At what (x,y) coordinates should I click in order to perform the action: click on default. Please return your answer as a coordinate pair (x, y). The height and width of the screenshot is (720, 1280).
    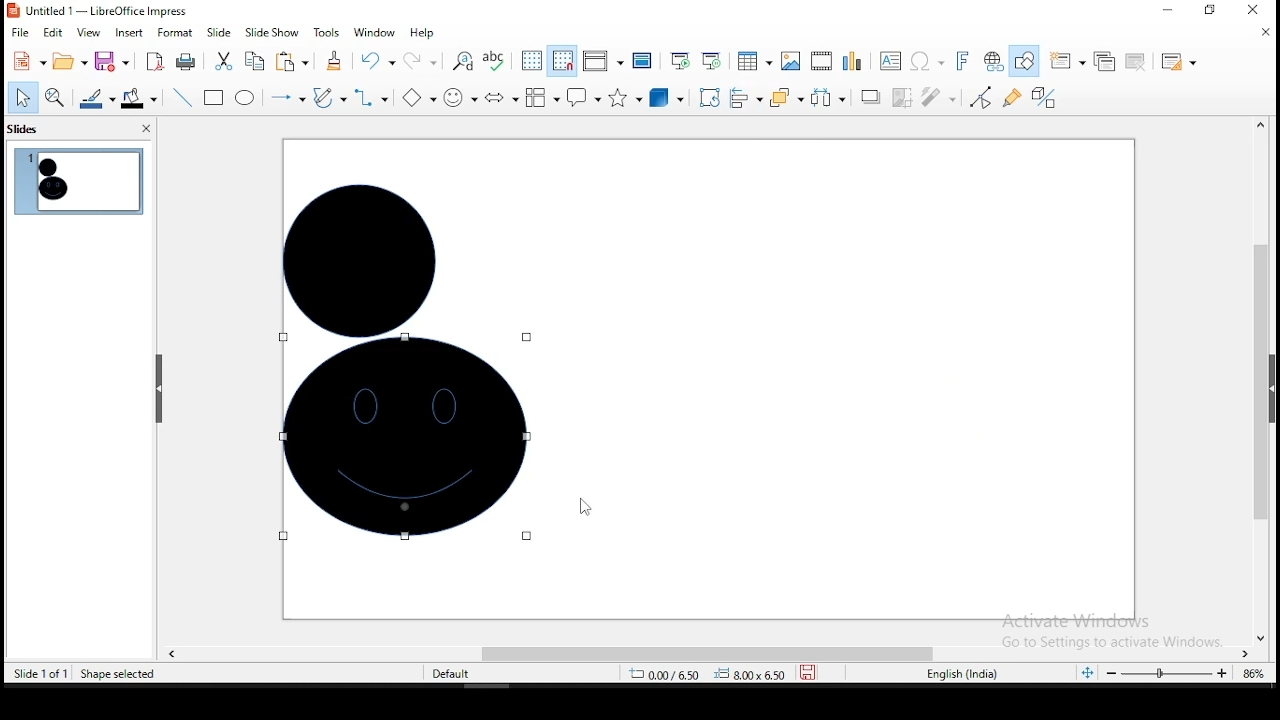
    Looking at the image, I should click on (451, 673).